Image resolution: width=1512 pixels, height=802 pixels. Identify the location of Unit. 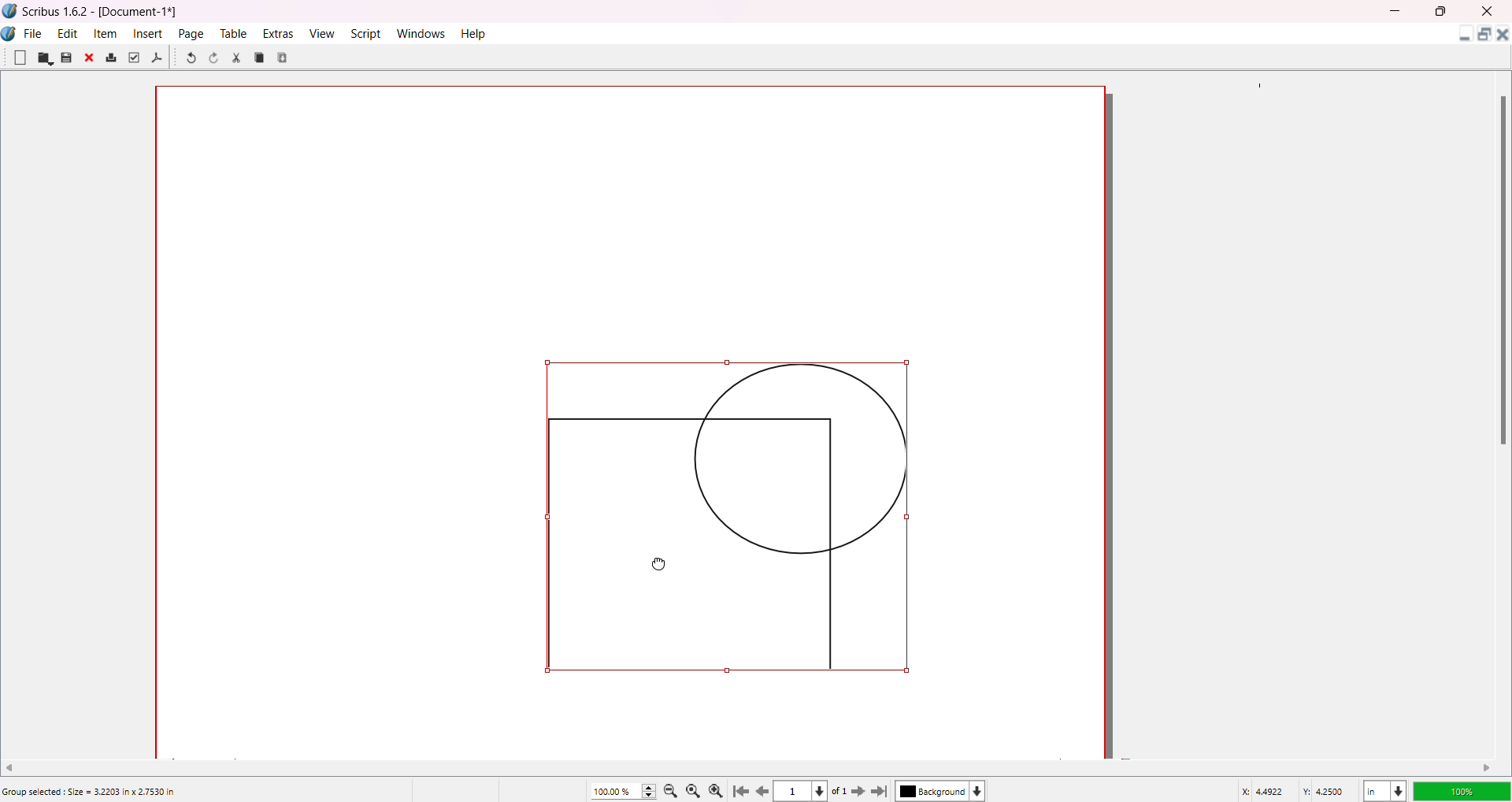
(1384, 789).